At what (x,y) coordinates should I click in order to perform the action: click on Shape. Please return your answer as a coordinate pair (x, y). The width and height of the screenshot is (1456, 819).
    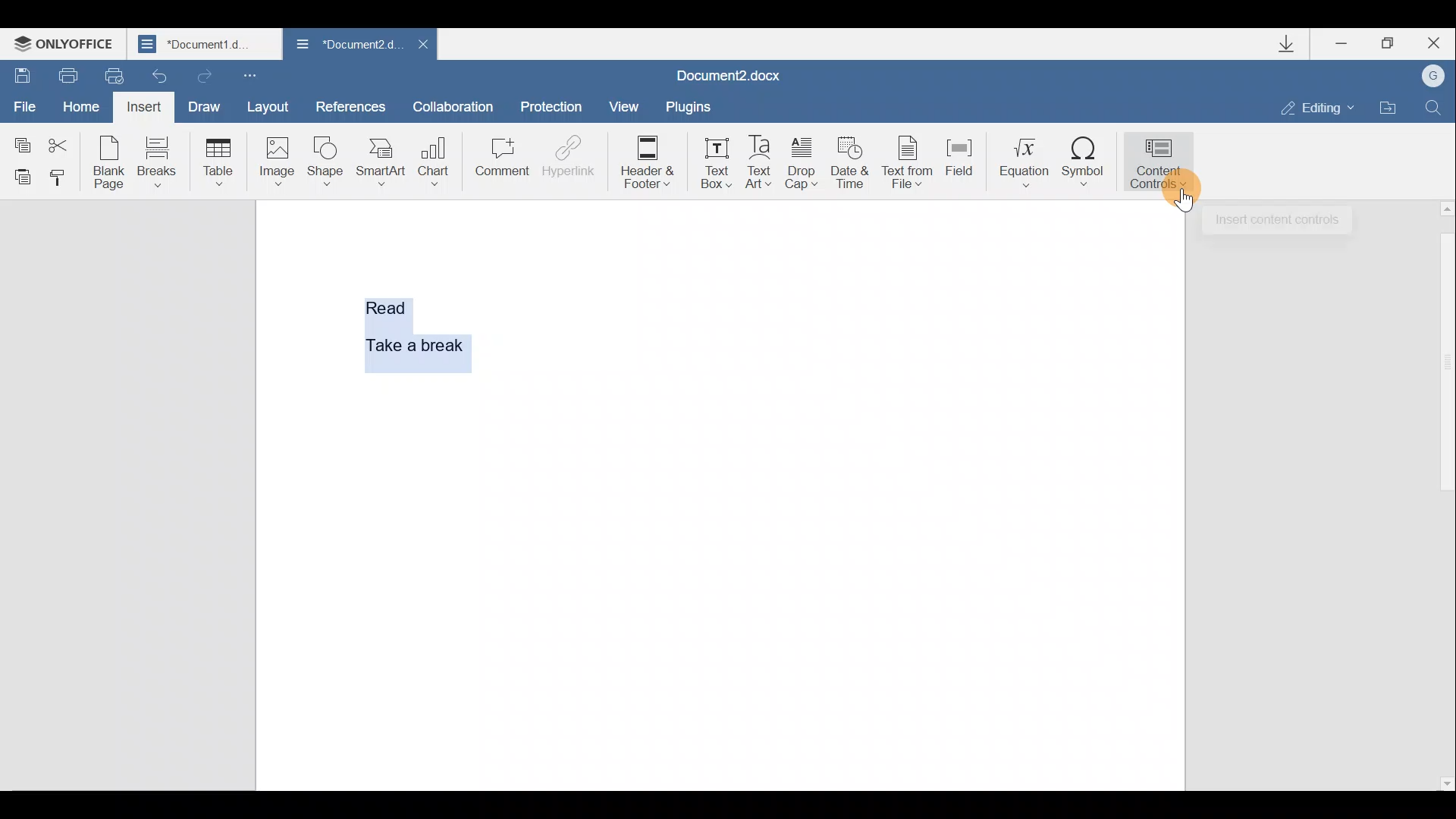
    Looking at the image, I should click on (323, 162).